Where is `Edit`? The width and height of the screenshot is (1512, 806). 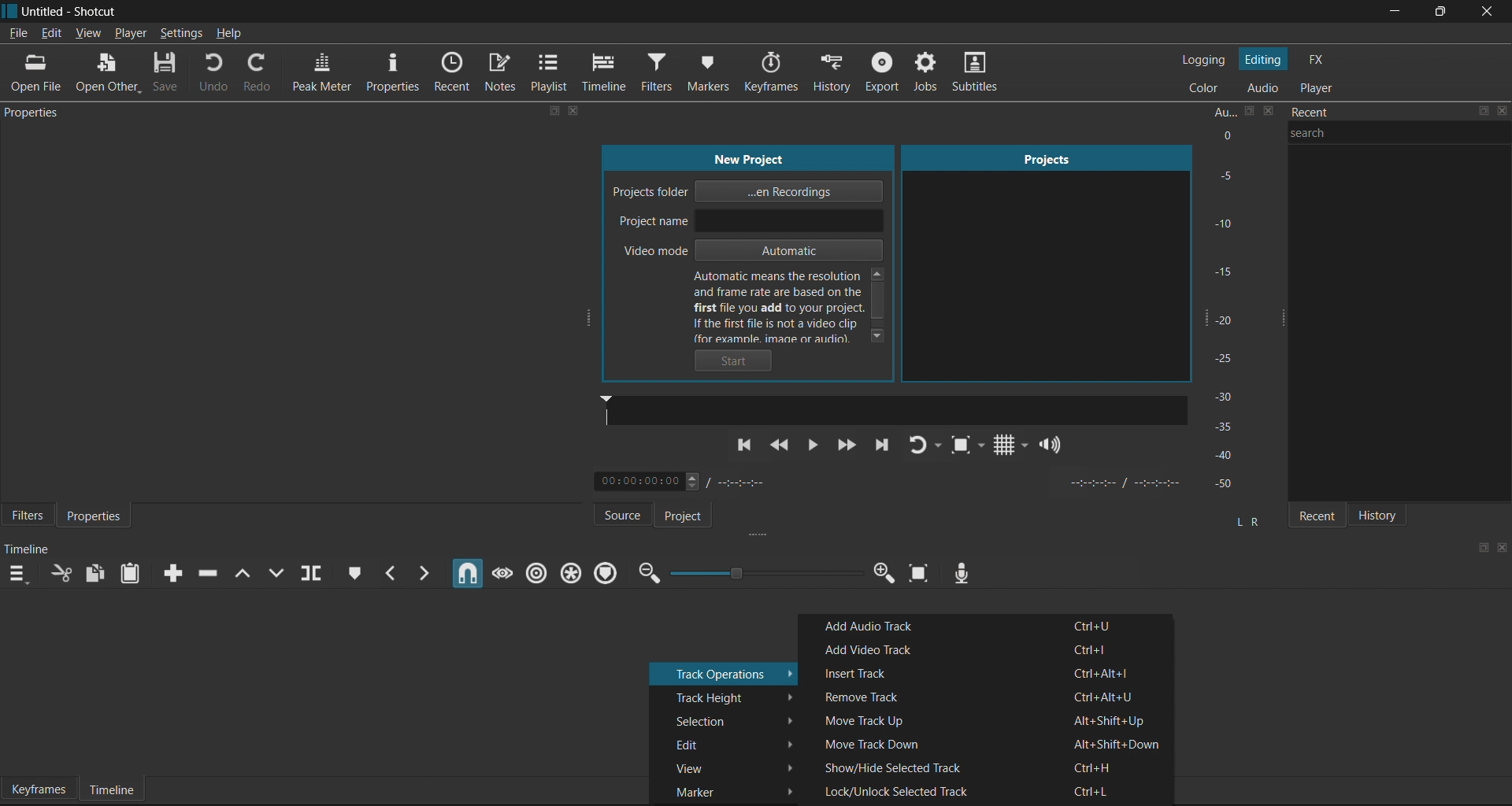 Edit is located at coordinates (729, 743).